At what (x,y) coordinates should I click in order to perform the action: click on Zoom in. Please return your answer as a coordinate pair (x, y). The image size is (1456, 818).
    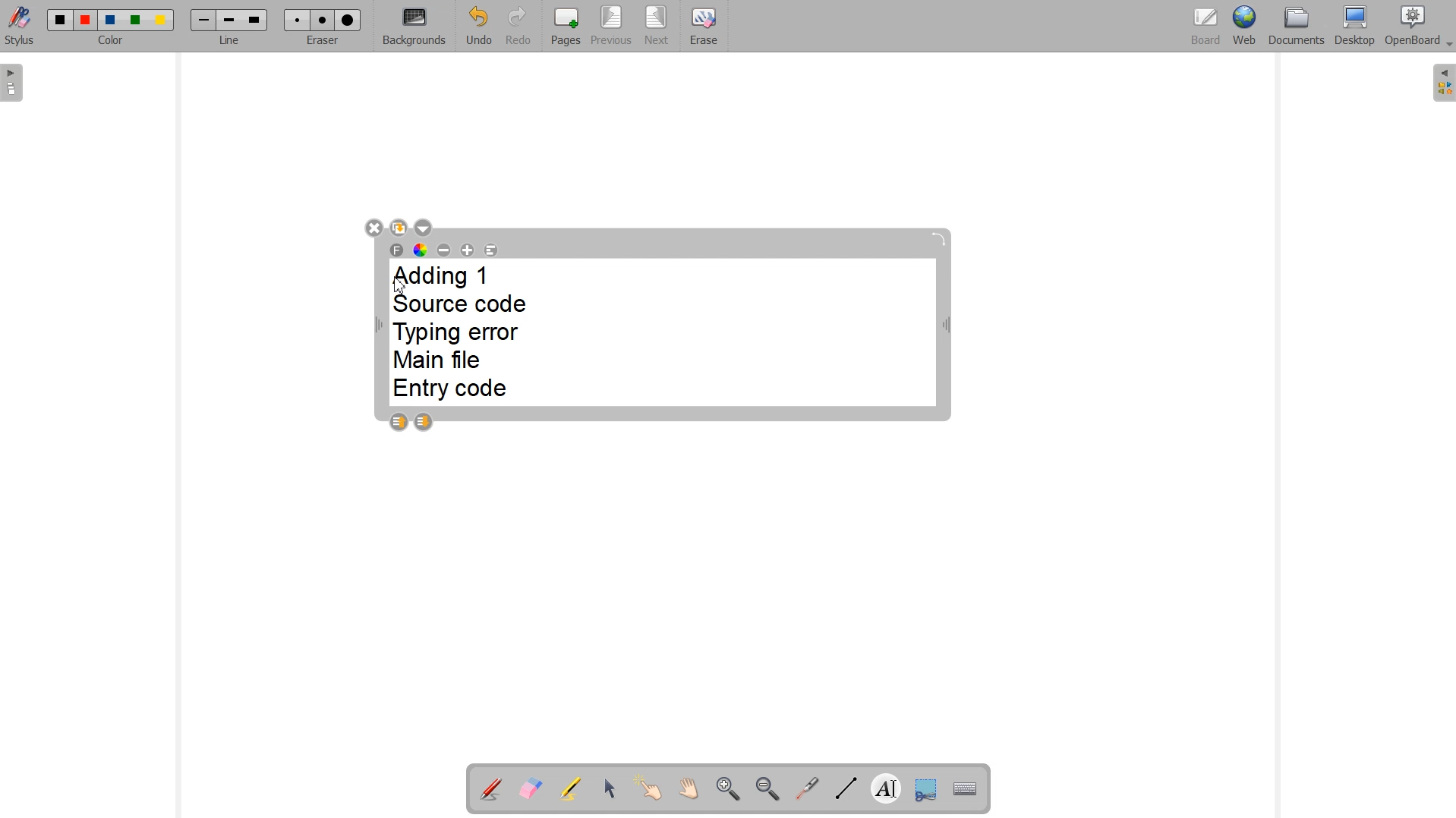
    Looking at the image, I should click on (726, 788).